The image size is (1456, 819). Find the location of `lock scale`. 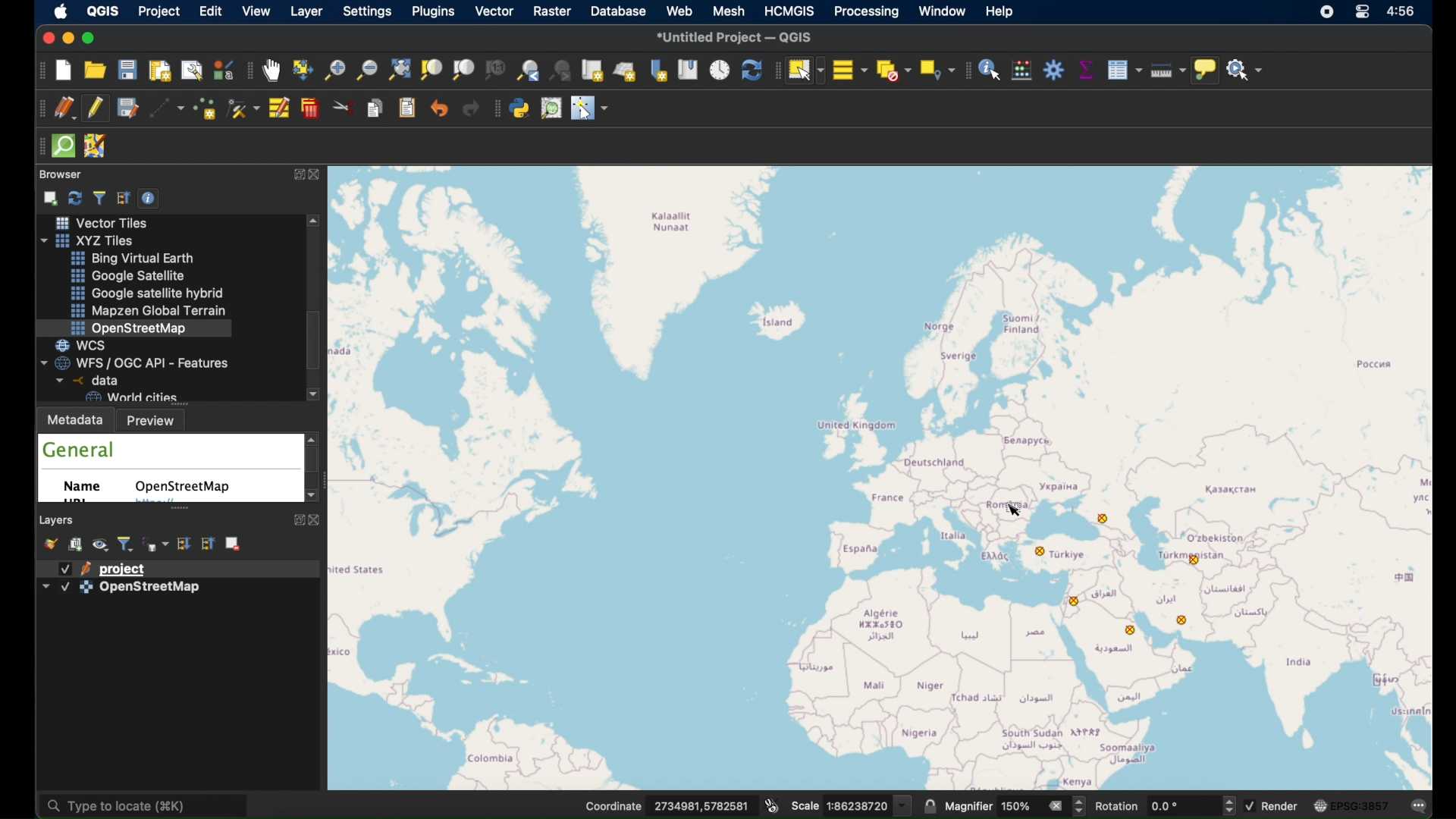

lock scale is located at coordinates (930, 805).